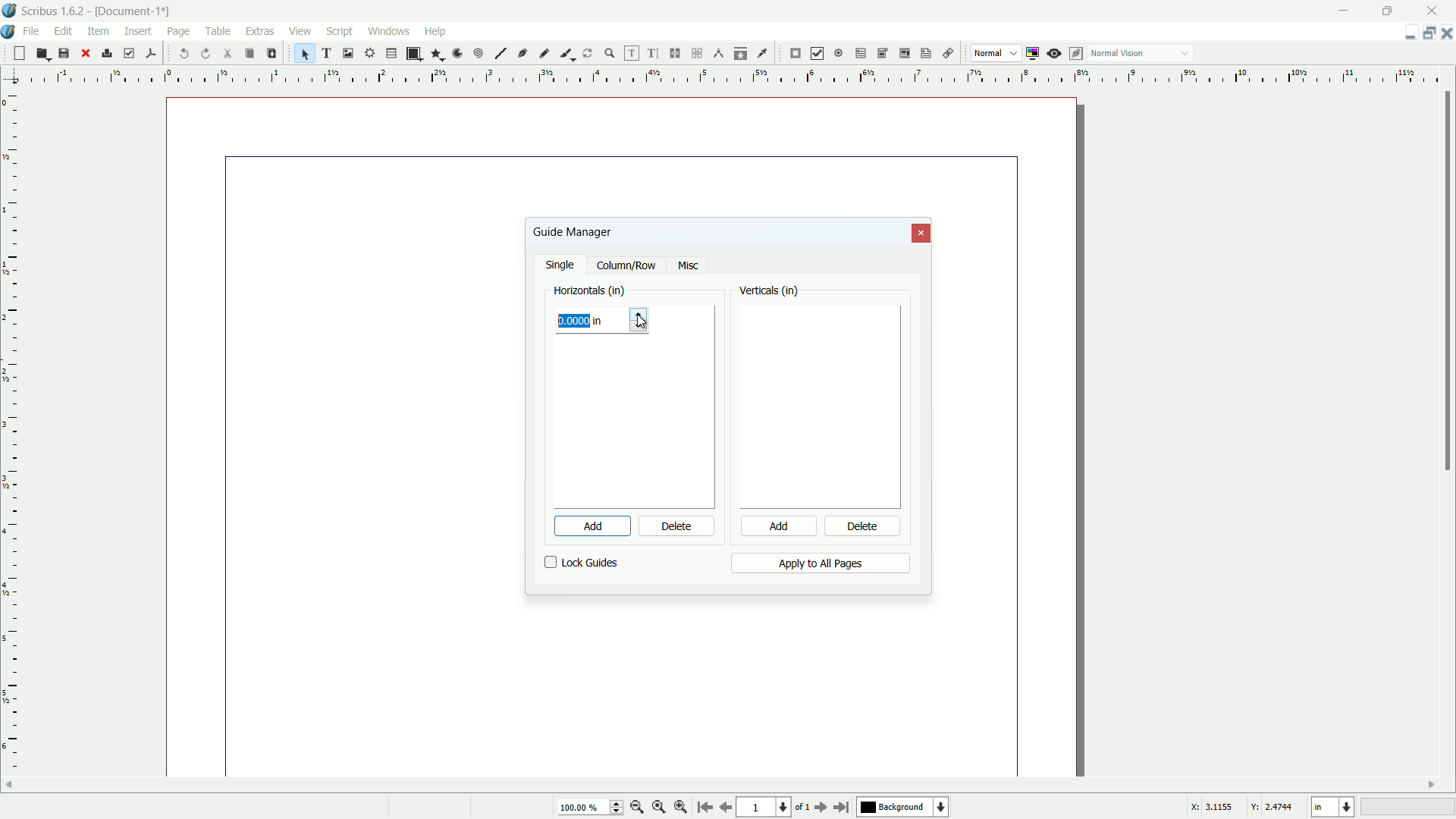 Image resolution: width=1456 pixels, height=819 pixels. What do you see at coordinates (722, 77) in the screenshot?
I see `measuring scale` at bounding box center [722, 77].